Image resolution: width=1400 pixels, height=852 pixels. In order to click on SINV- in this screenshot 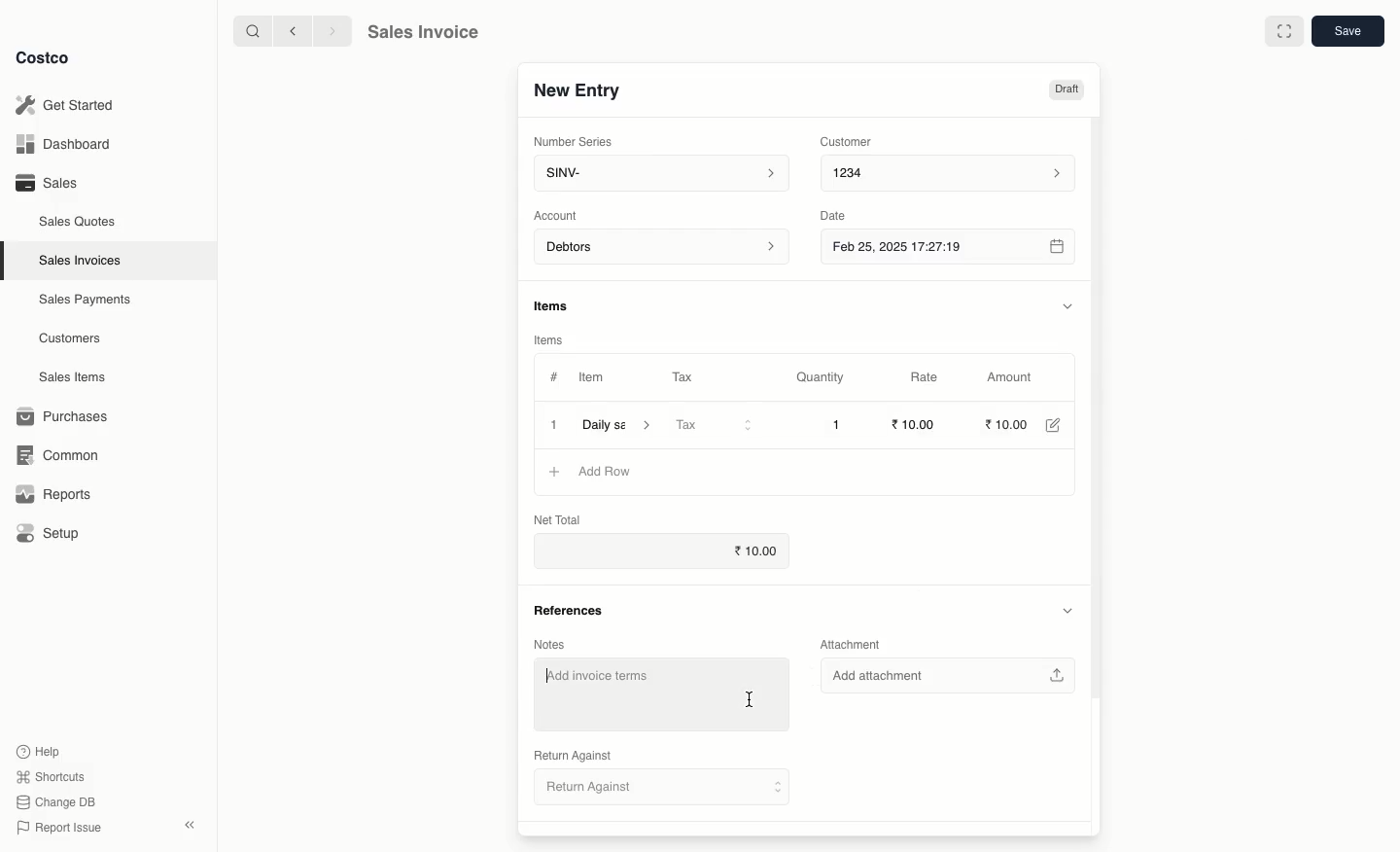, I will do `click(663, 174)`.